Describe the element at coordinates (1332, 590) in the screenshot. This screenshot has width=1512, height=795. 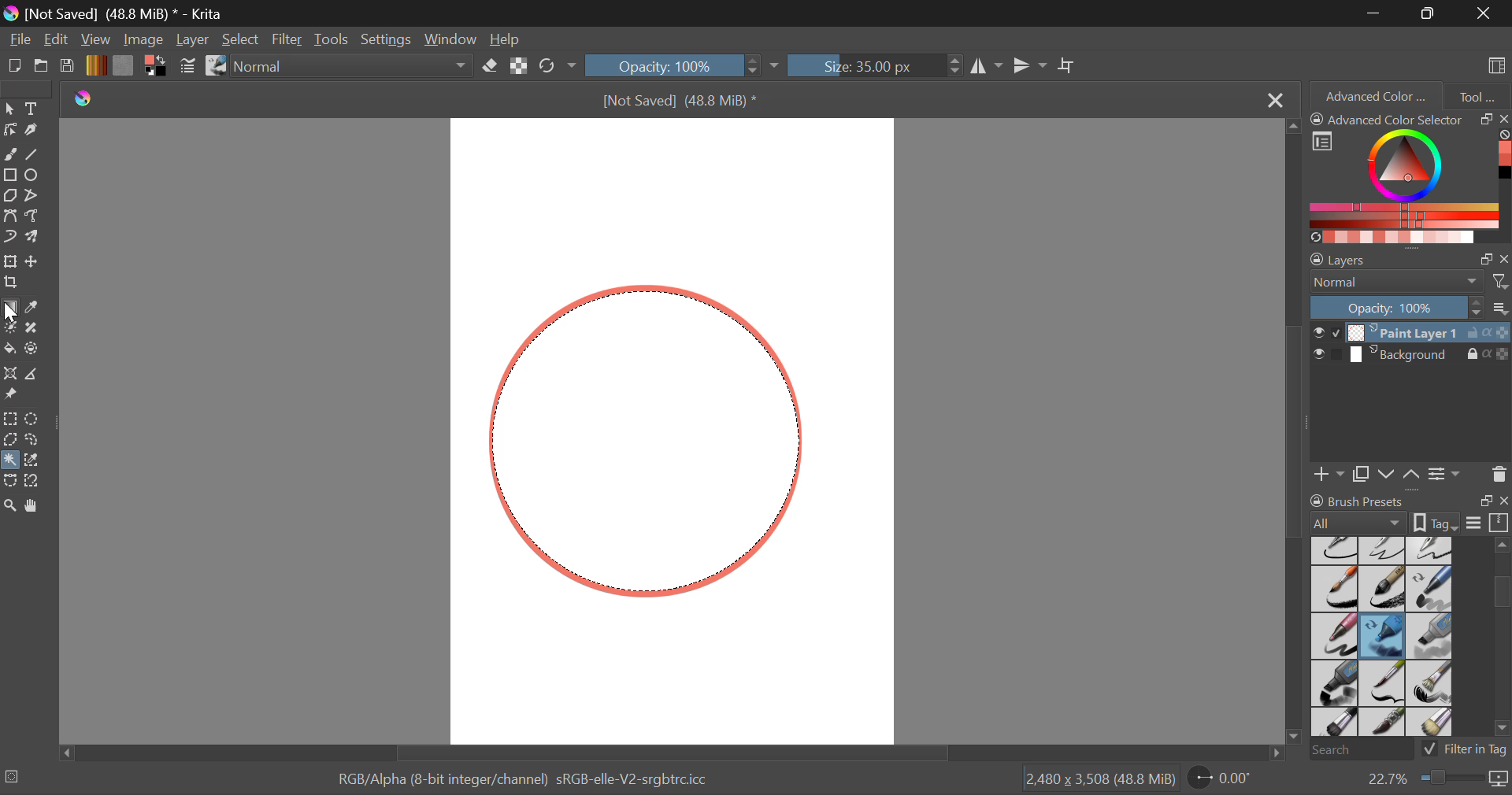
I see `Ink-7 Brush Rough` at that location.